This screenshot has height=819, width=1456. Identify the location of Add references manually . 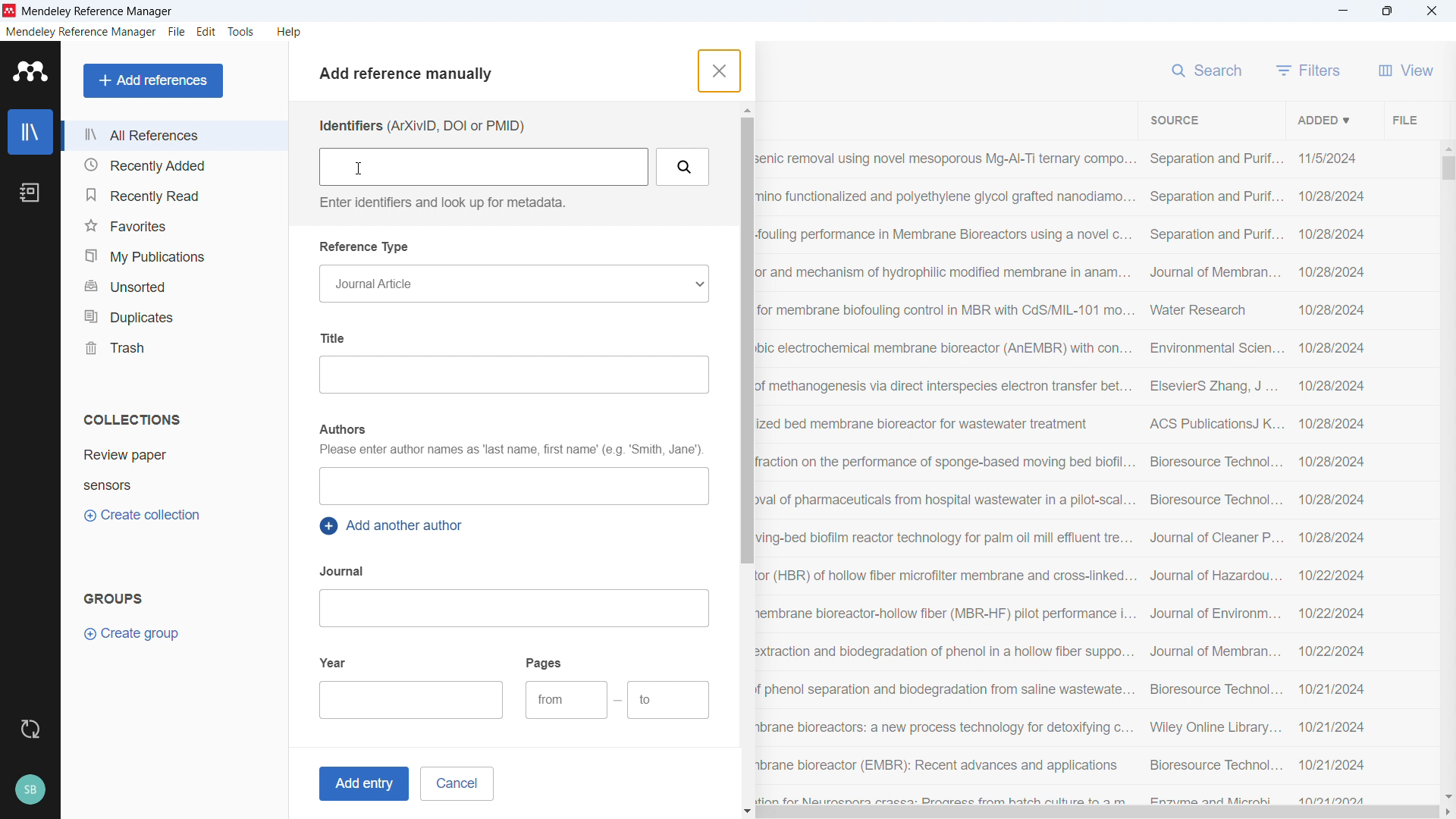
(412, 76).